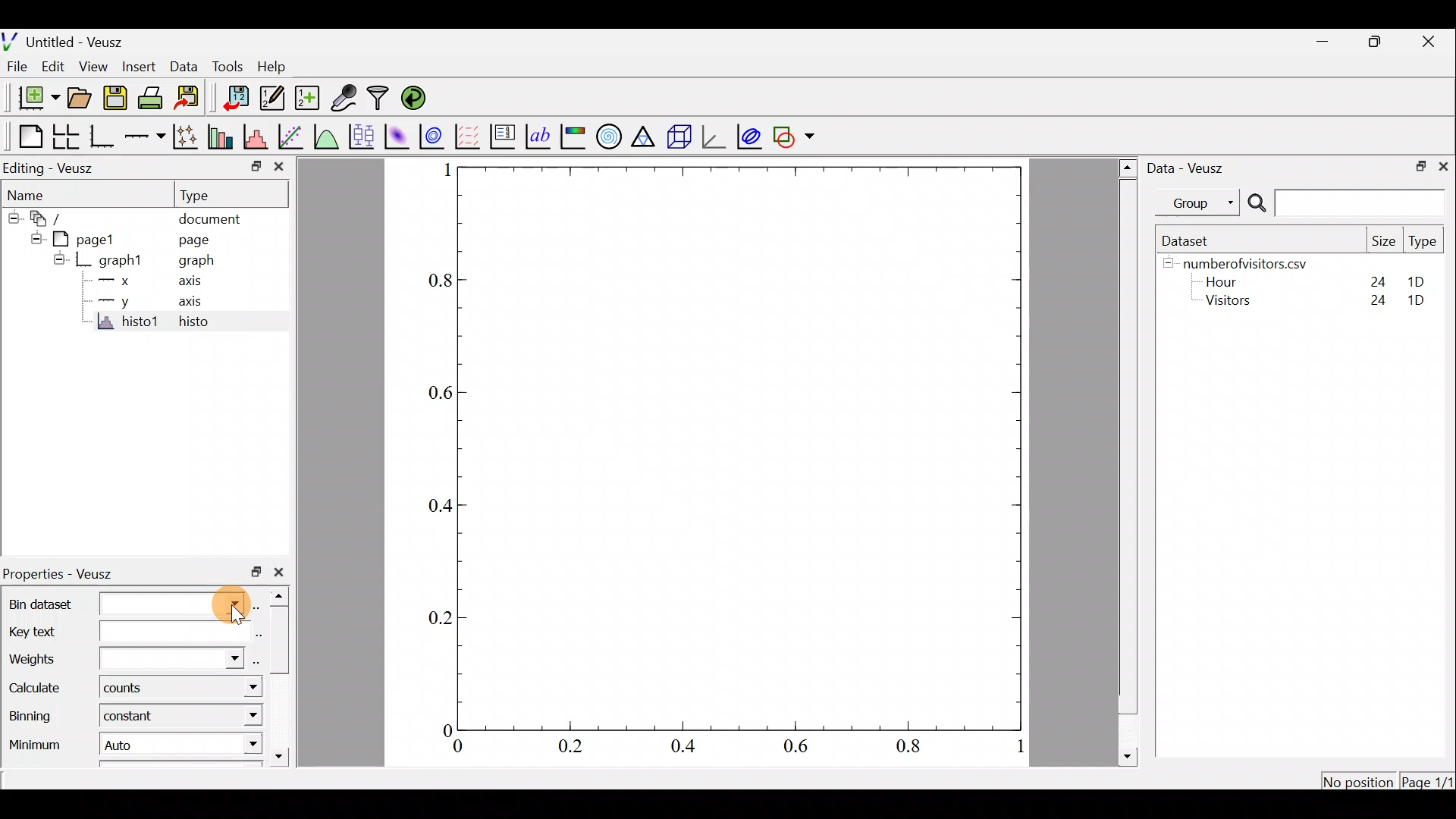  What do you see at coordinates (127, 304) in the screenshot?
I see `y` at bounding box center [127, 304].